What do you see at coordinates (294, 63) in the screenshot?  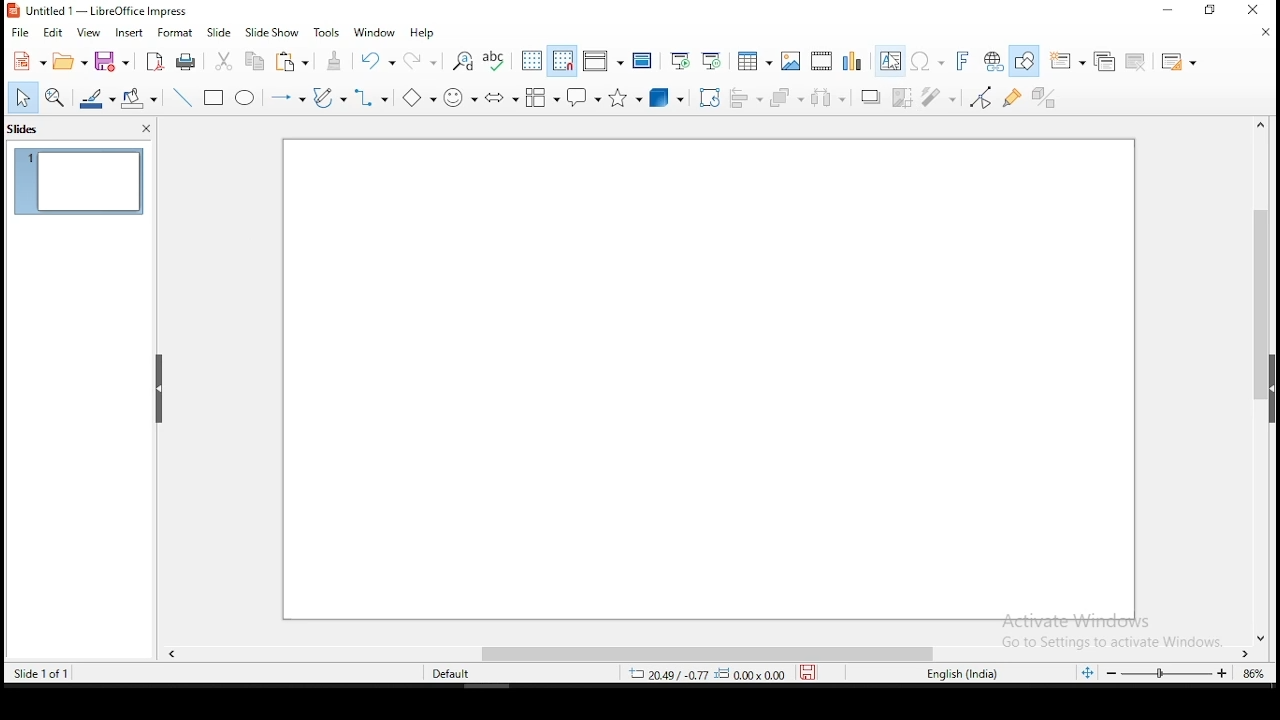 I see `paste` at bounding box center [294, 63].